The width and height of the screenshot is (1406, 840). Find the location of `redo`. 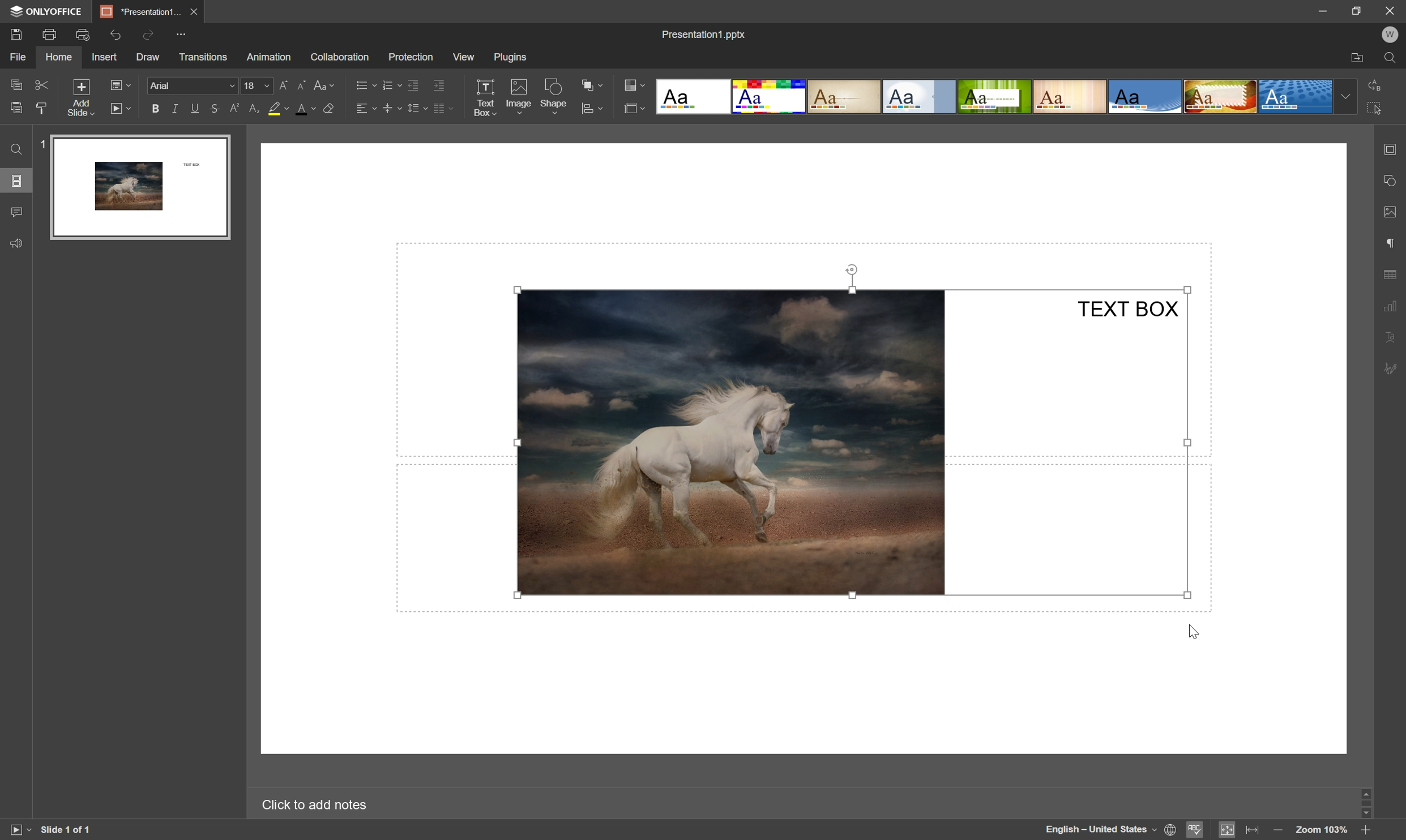

redo is located at coordinates (151, 37).